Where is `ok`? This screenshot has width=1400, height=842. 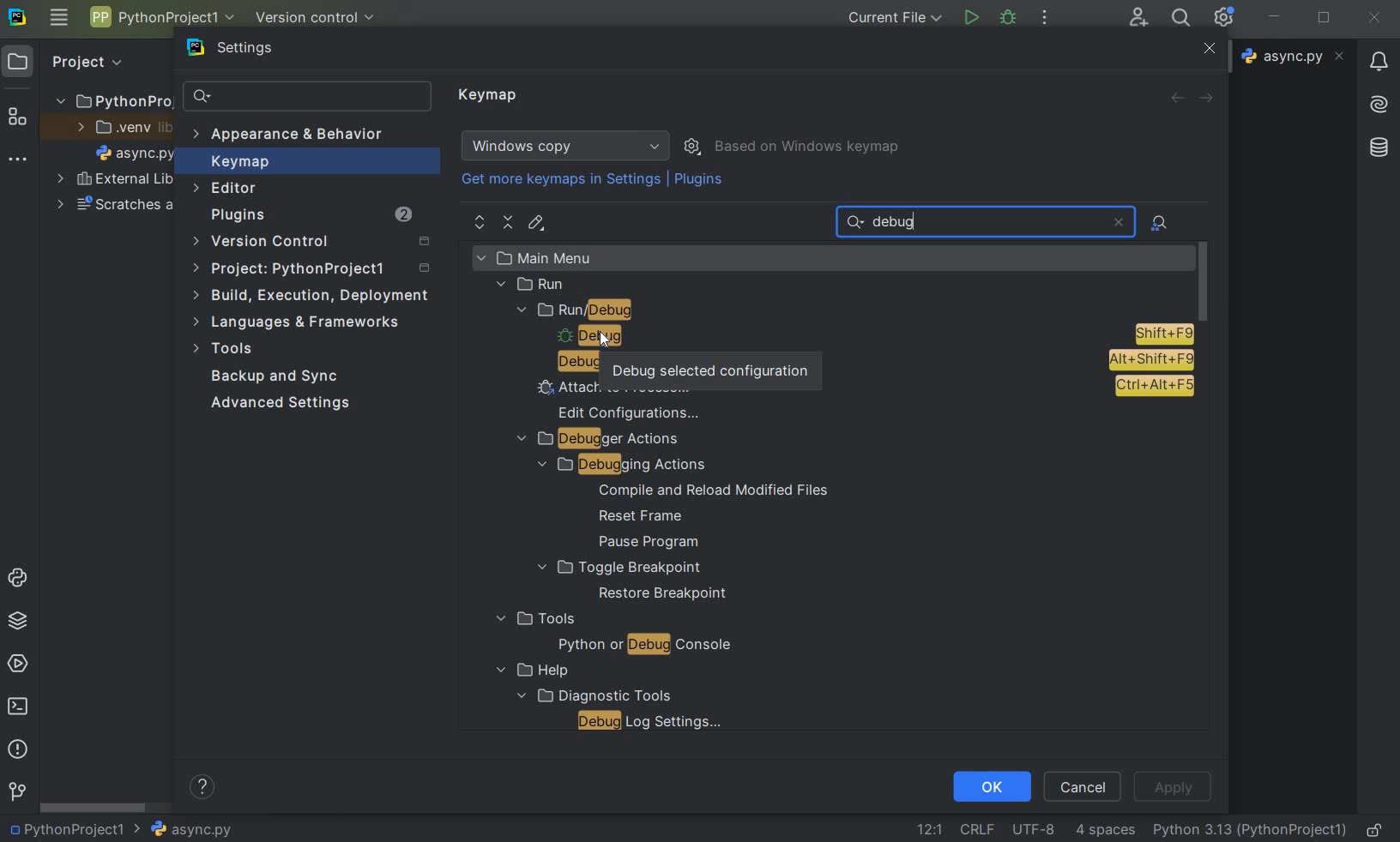
ok is located at coordinates (991, 785).